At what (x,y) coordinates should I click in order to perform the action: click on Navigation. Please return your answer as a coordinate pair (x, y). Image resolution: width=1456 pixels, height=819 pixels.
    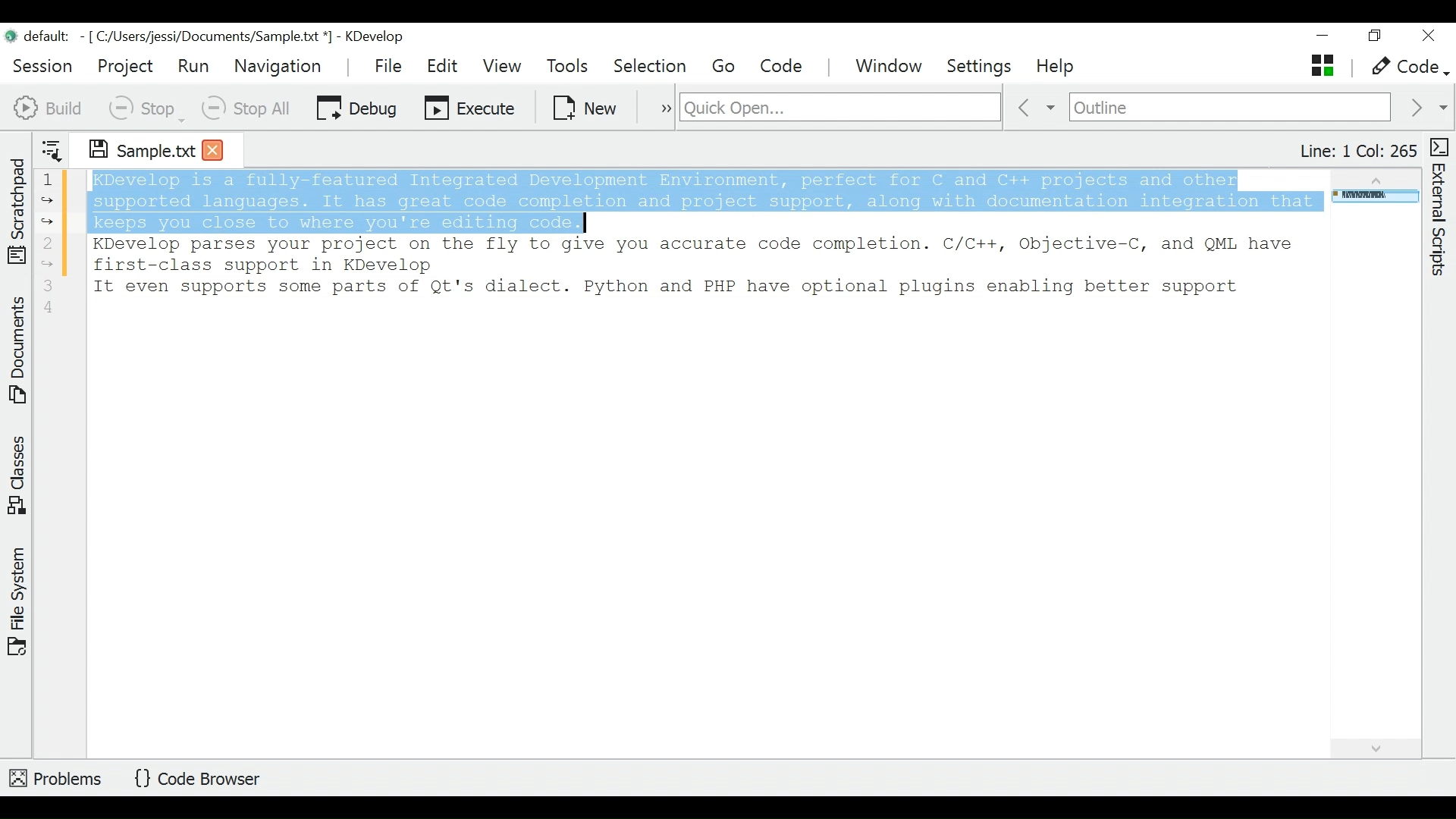
    Looking at the image, I should click on (281, 66).